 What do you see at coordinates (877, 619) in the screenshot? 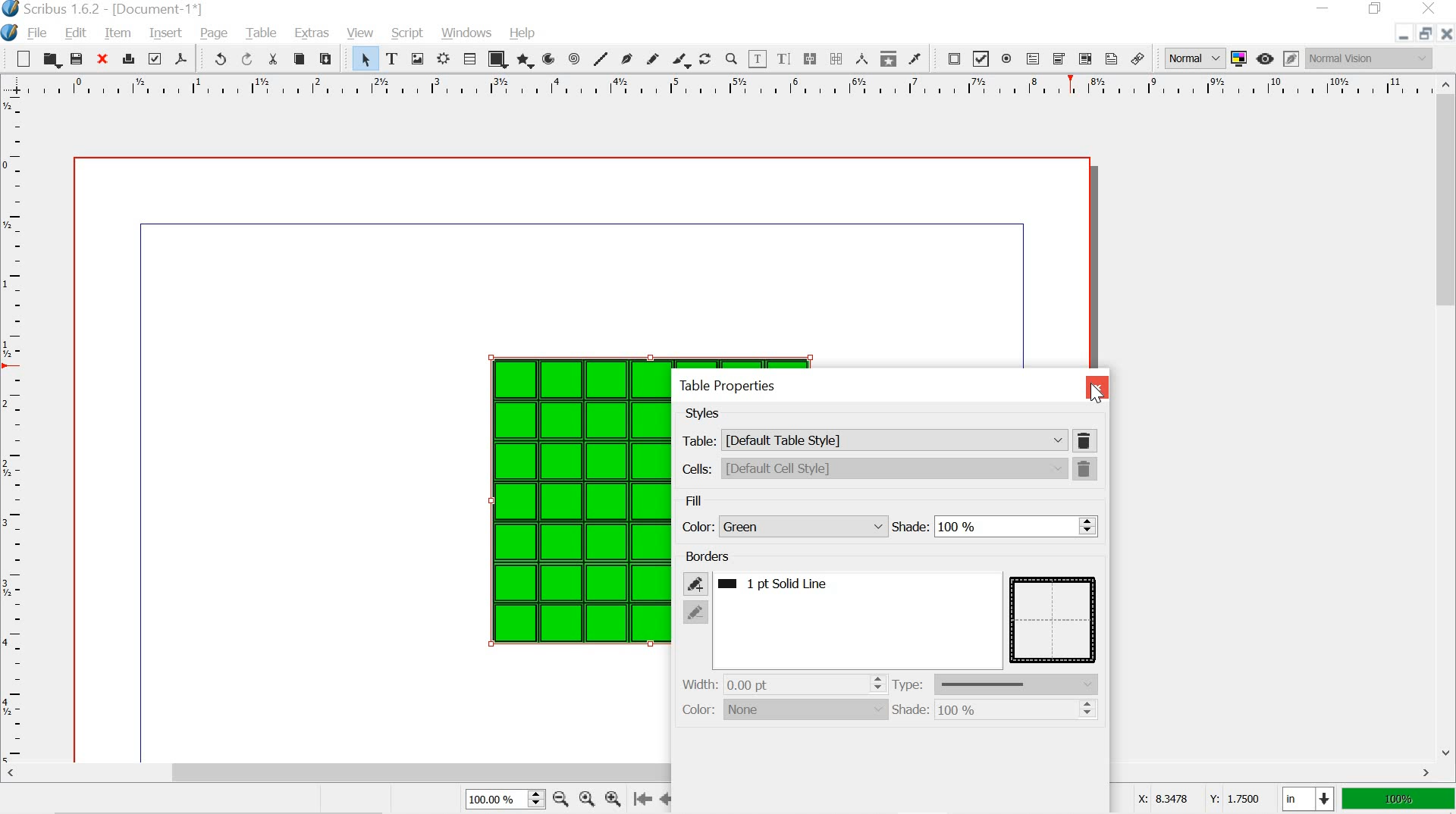
I see `scrollbar` at bounding box center [877, 619].